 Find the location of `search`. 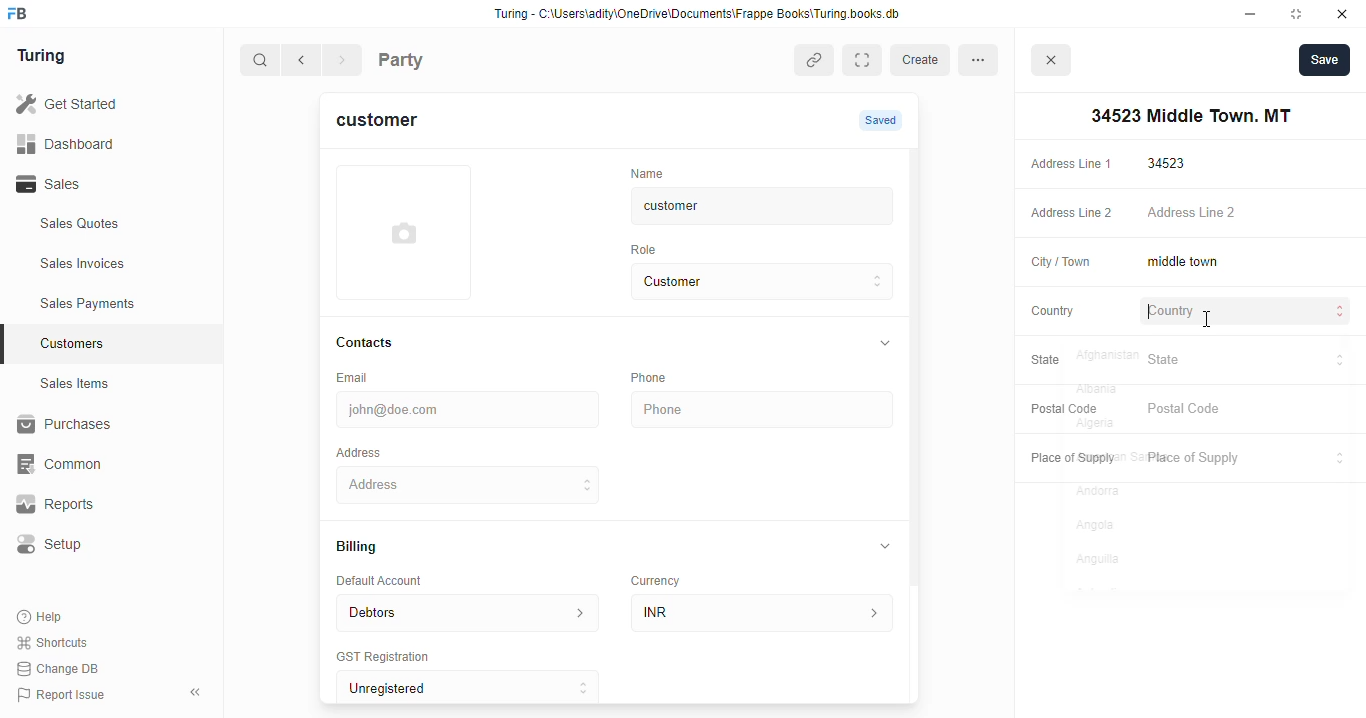

search is located at coordinates (261, 62).